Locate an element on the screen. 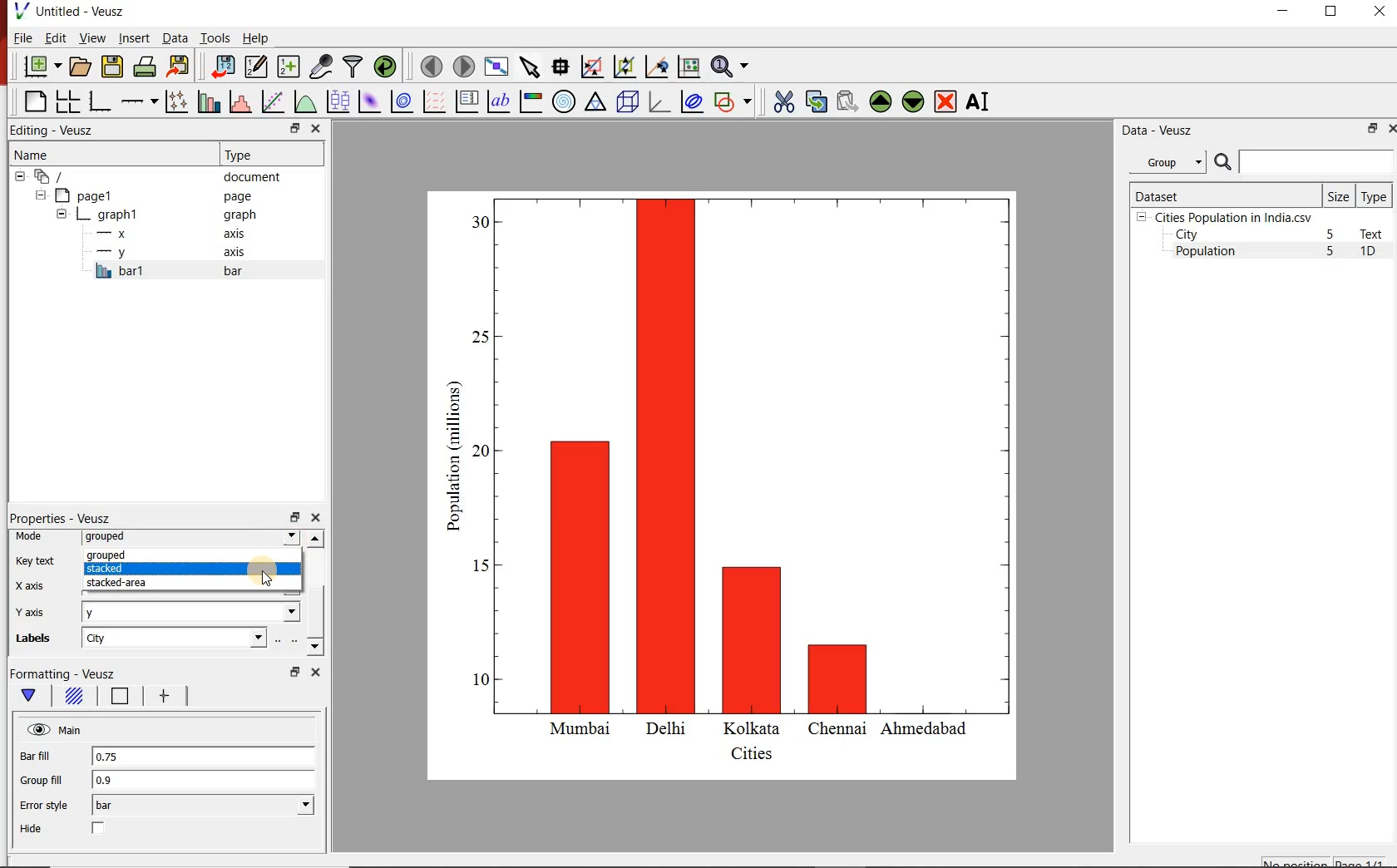 Image resolution: width=1397 pixels, height=868 pixels. Insert is located at coordinates (133, 39).